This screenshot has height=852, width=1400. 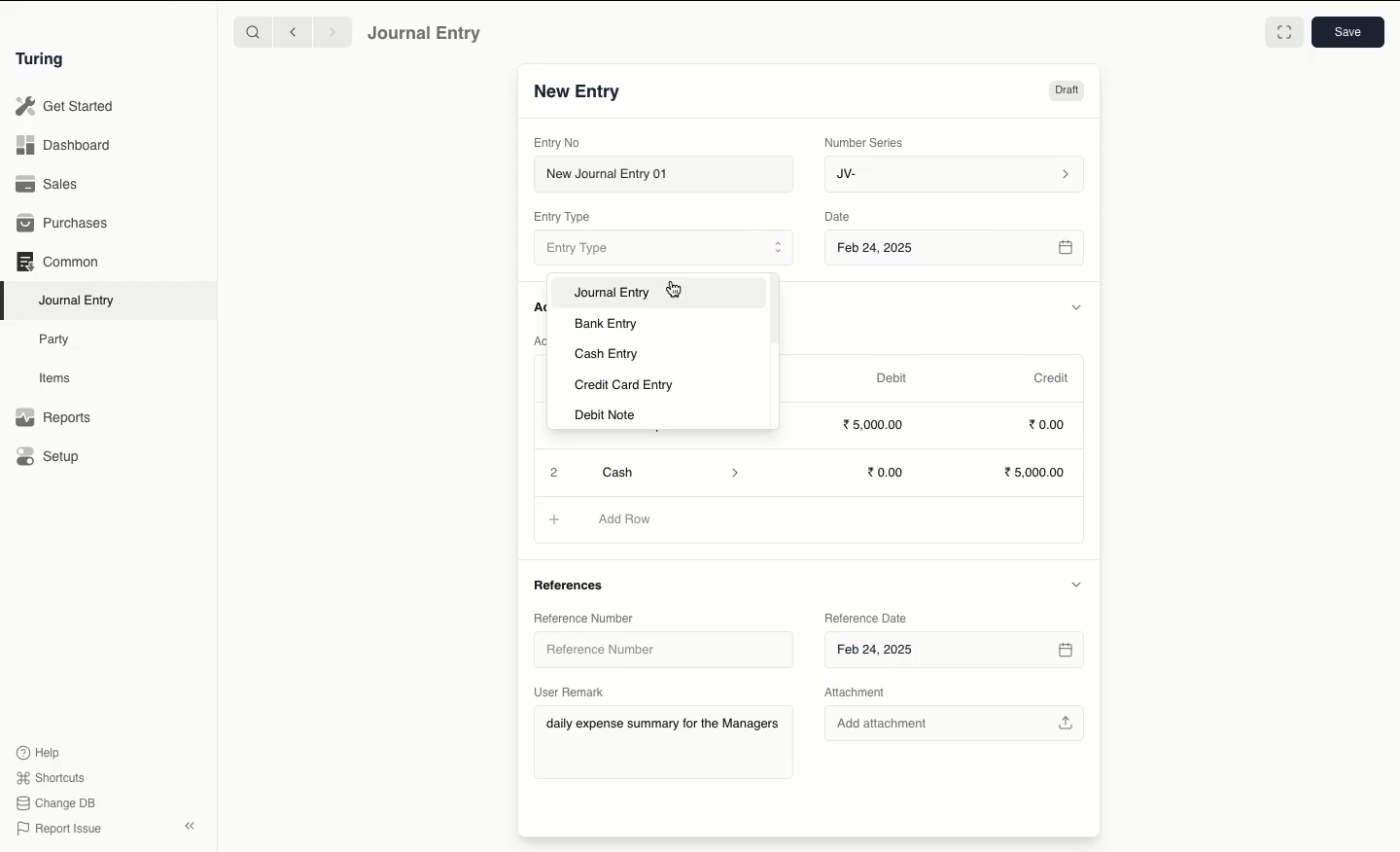 I want to click on Entry No, so click(x=557, y=143).